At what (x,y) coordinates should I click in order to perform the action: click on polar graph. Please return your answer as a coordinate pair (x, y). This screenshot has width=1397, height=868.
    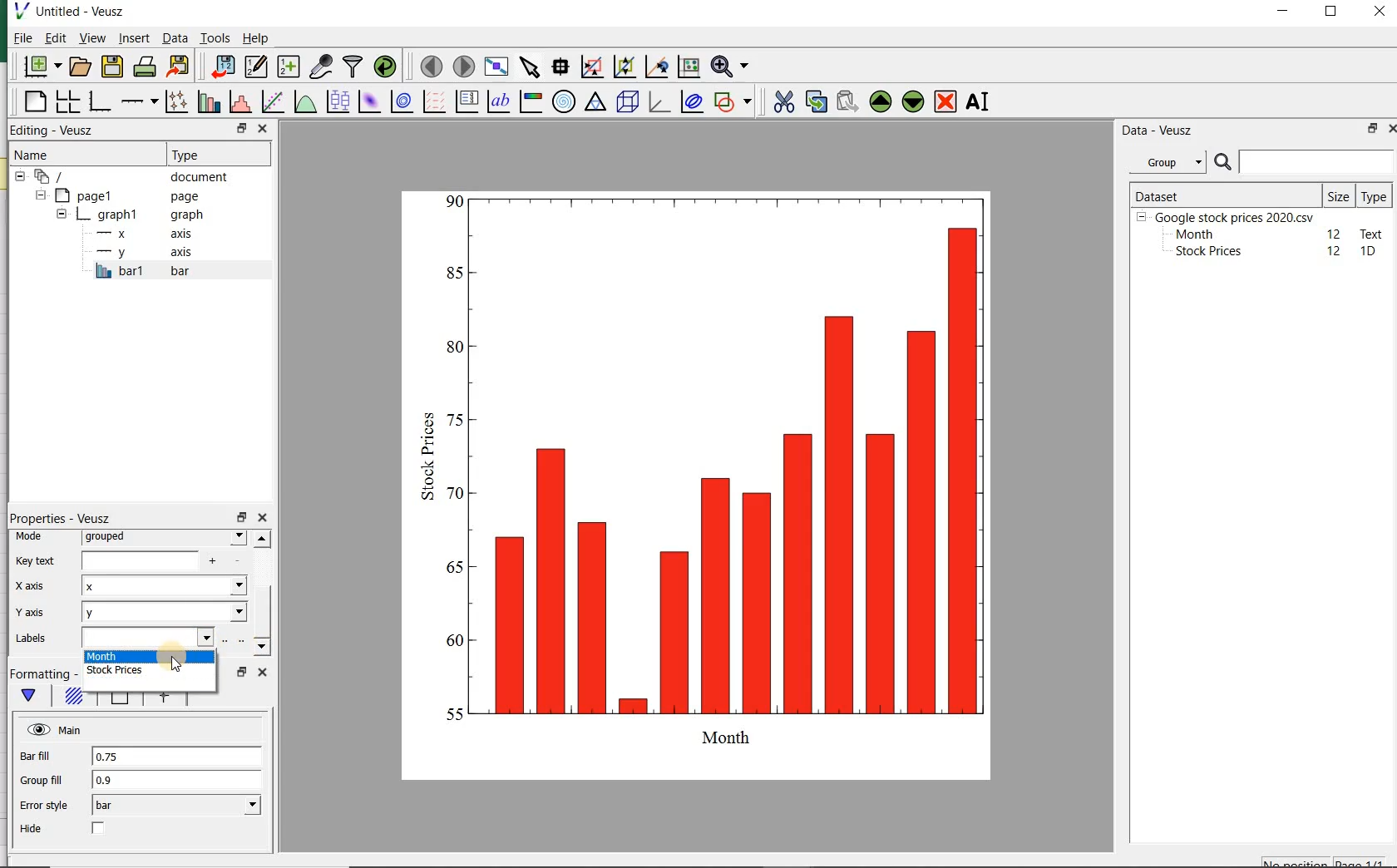
    Looking at the image, I should click on (563, 101).